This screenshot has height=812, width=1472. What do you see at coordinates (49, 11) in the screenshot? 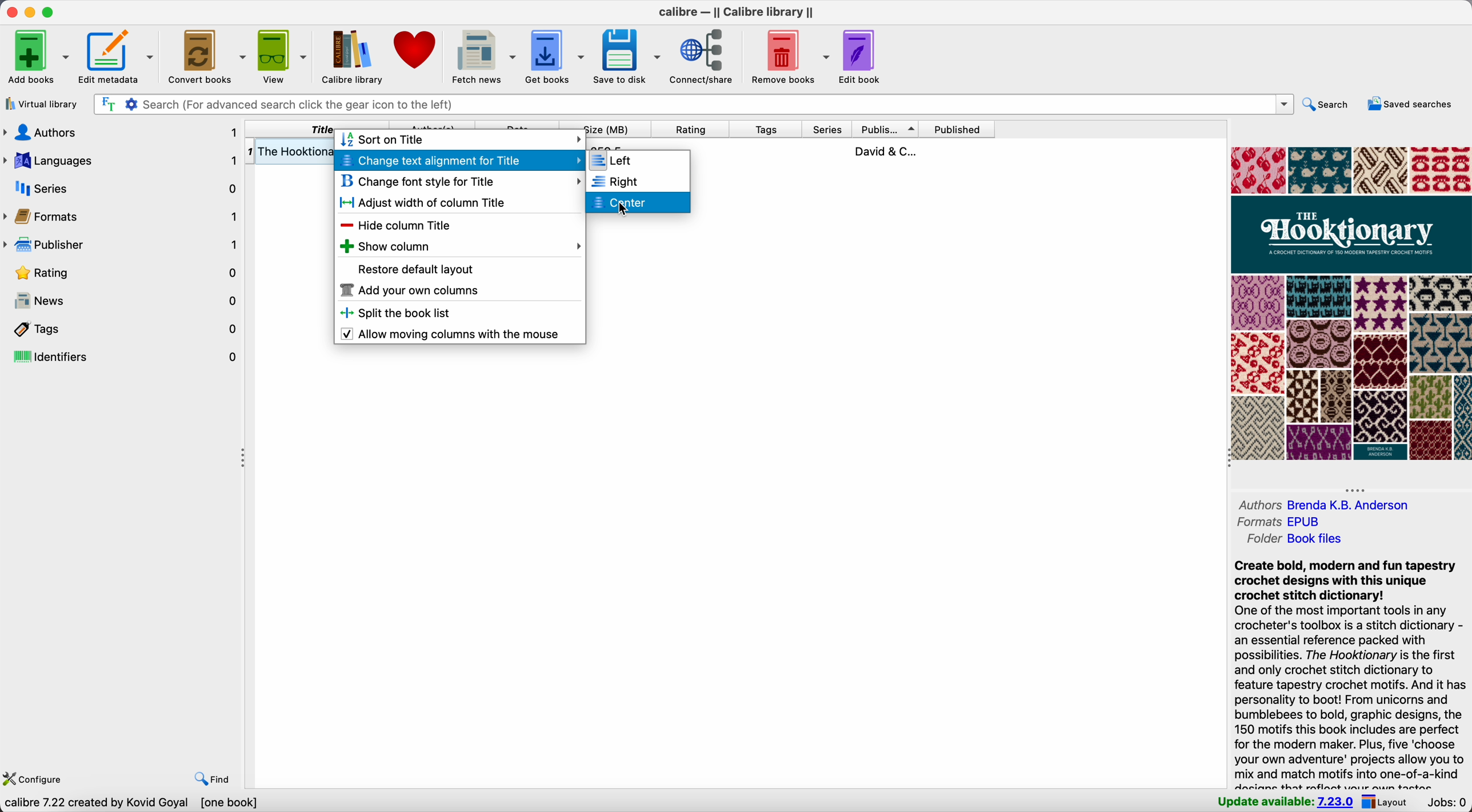
I see `maximize` at bounding box center [49, 11].